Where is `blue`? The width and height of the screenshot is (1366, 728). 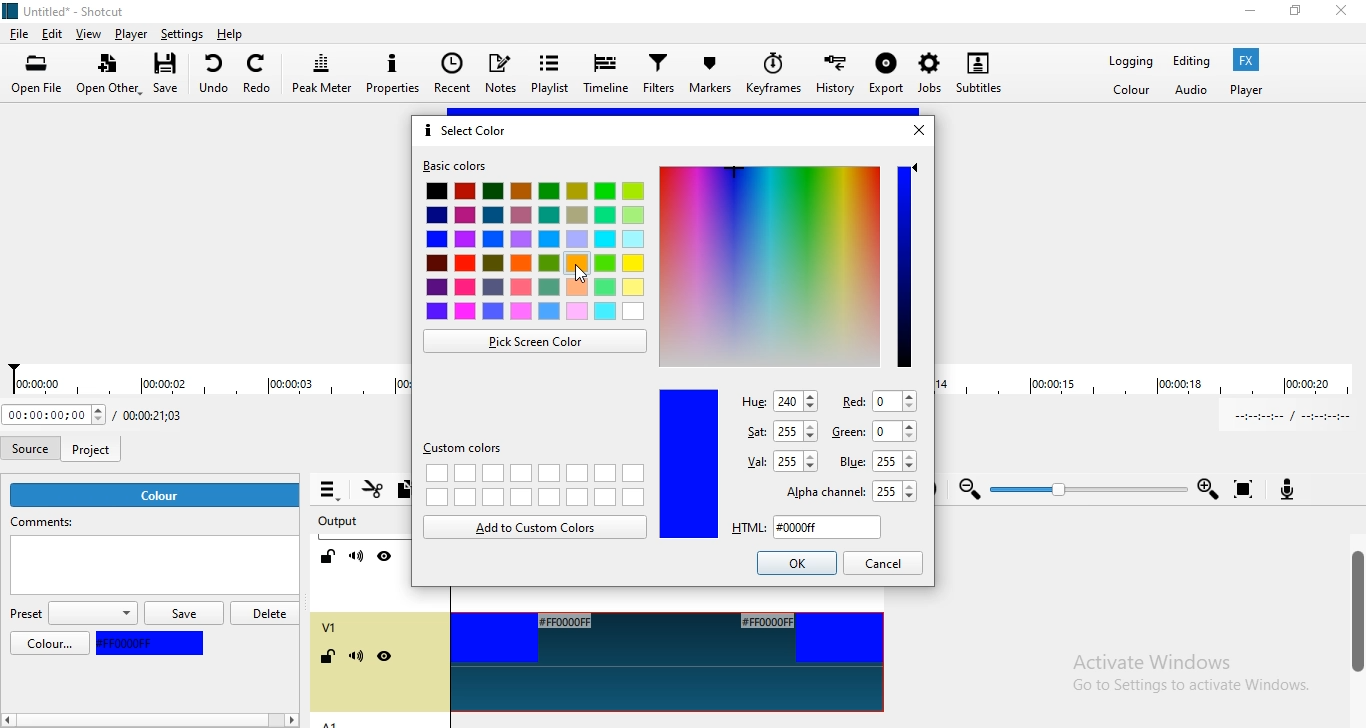
blue is located at coordinates (154, 644).